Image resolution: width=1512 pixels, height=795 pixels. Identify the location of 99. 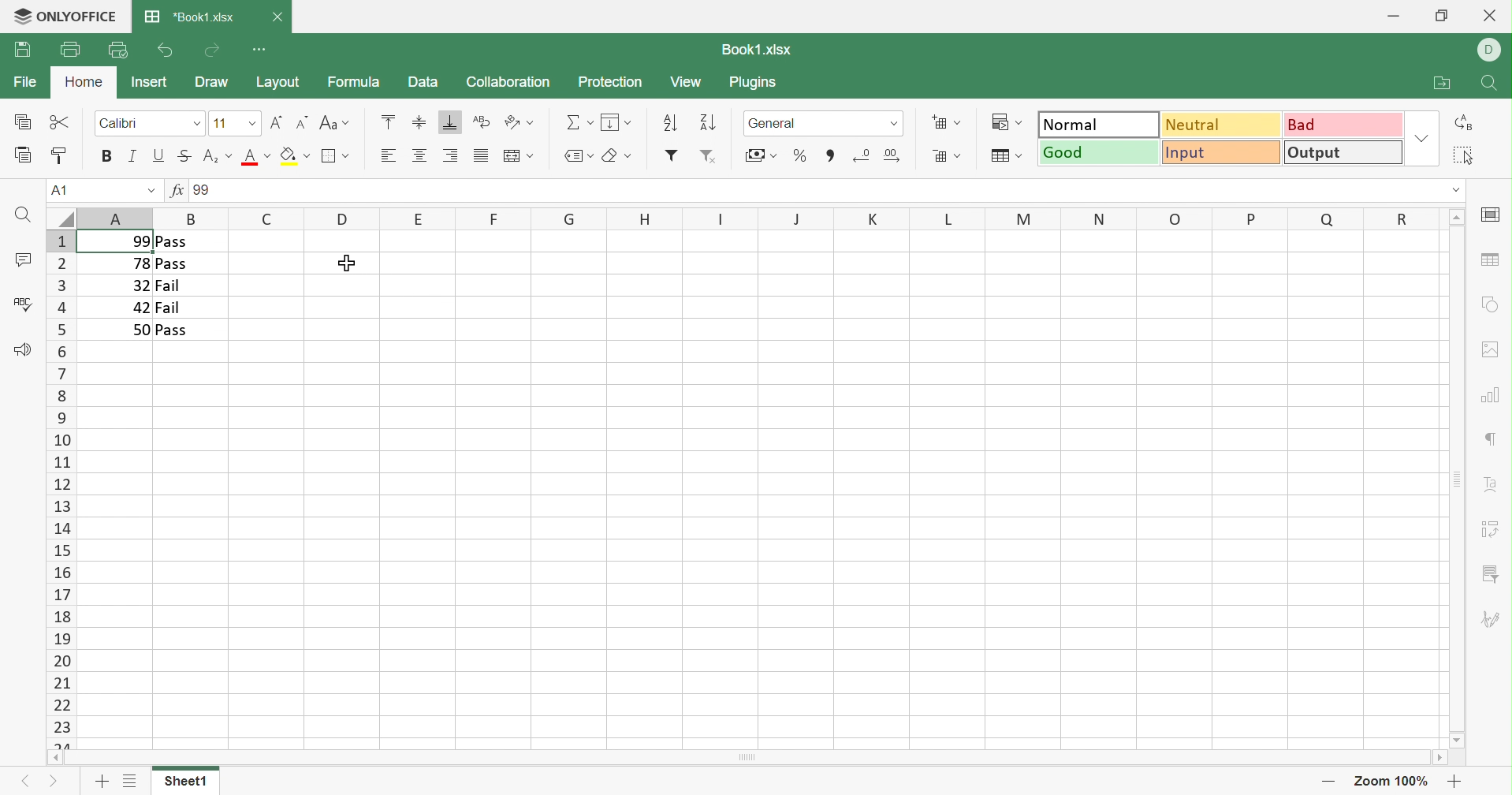
(206, 191).